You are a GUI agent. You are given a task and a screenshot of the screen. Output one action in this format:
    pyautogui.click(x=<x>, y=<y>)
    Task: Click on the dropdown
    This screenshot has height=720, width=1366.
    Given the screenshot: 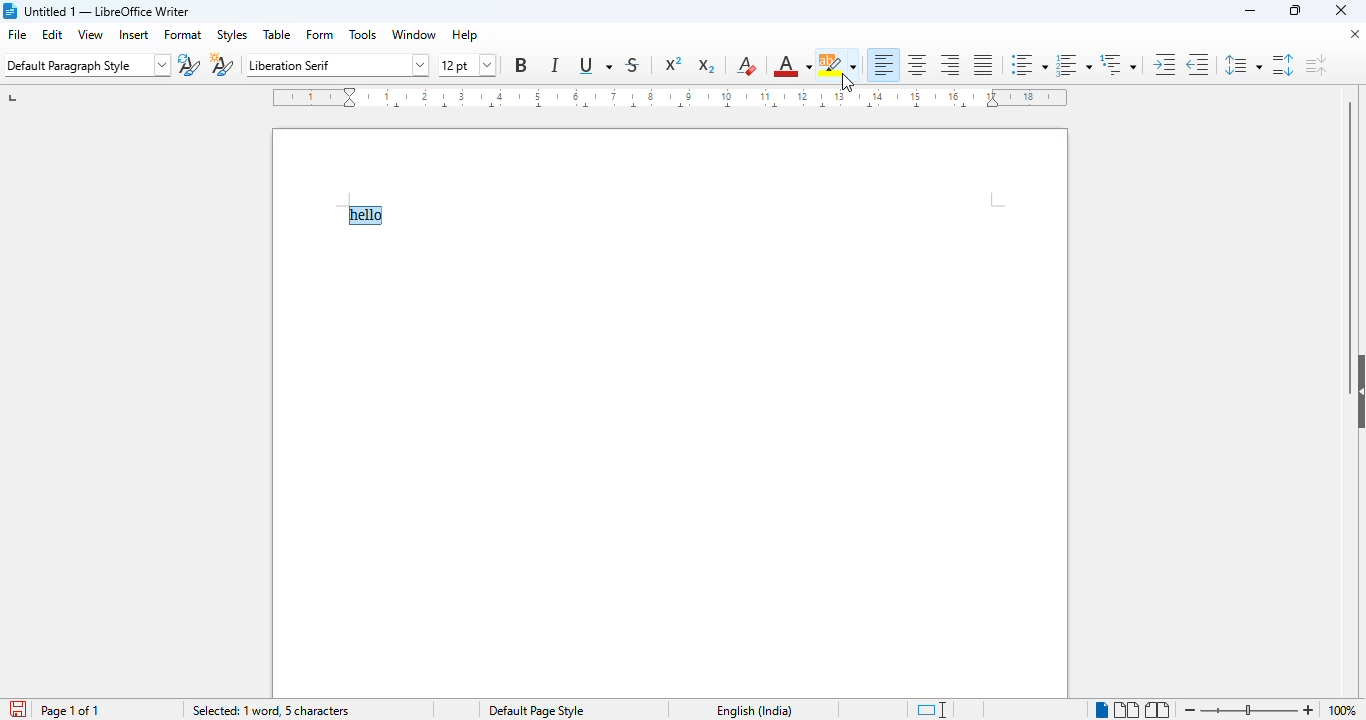 What is the action you would take?
    pyautogui.click(x=424, y=64)
    